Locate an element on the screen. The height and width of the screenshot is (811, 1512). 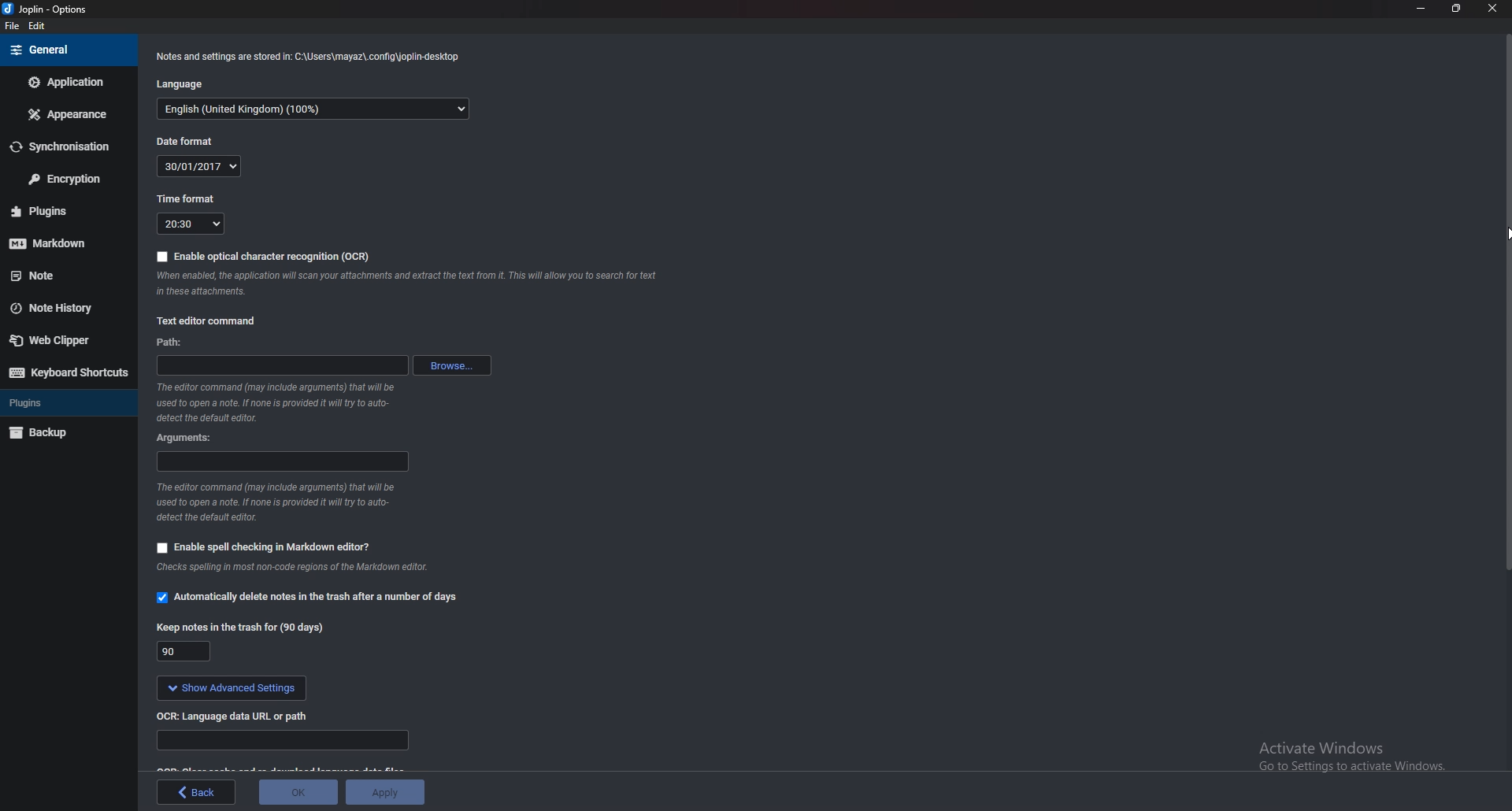
Arguments is located at coordinates (186, 439).